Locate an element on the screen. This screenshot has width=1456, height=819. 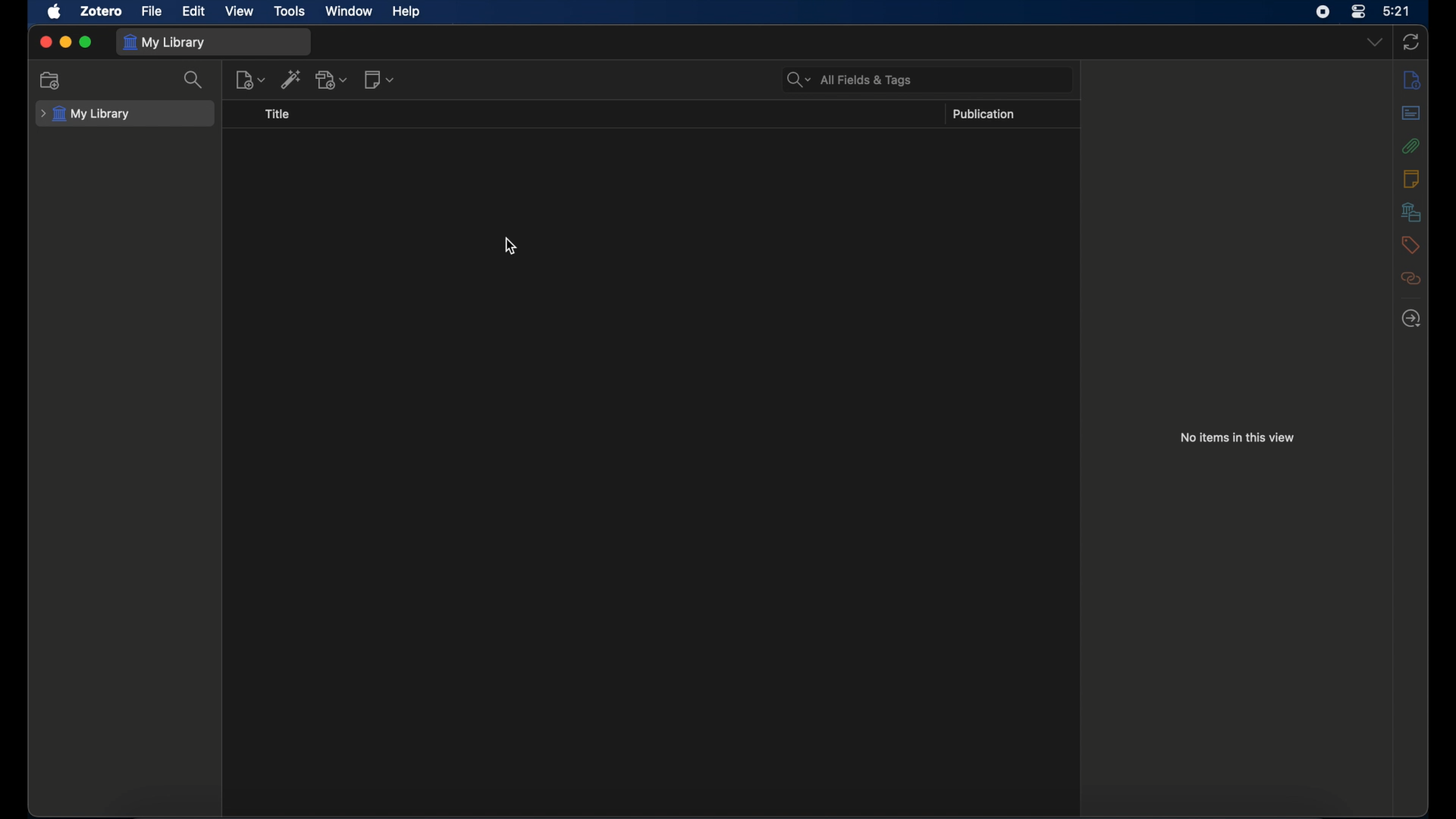
maximize is located at coordinates (86, 42).